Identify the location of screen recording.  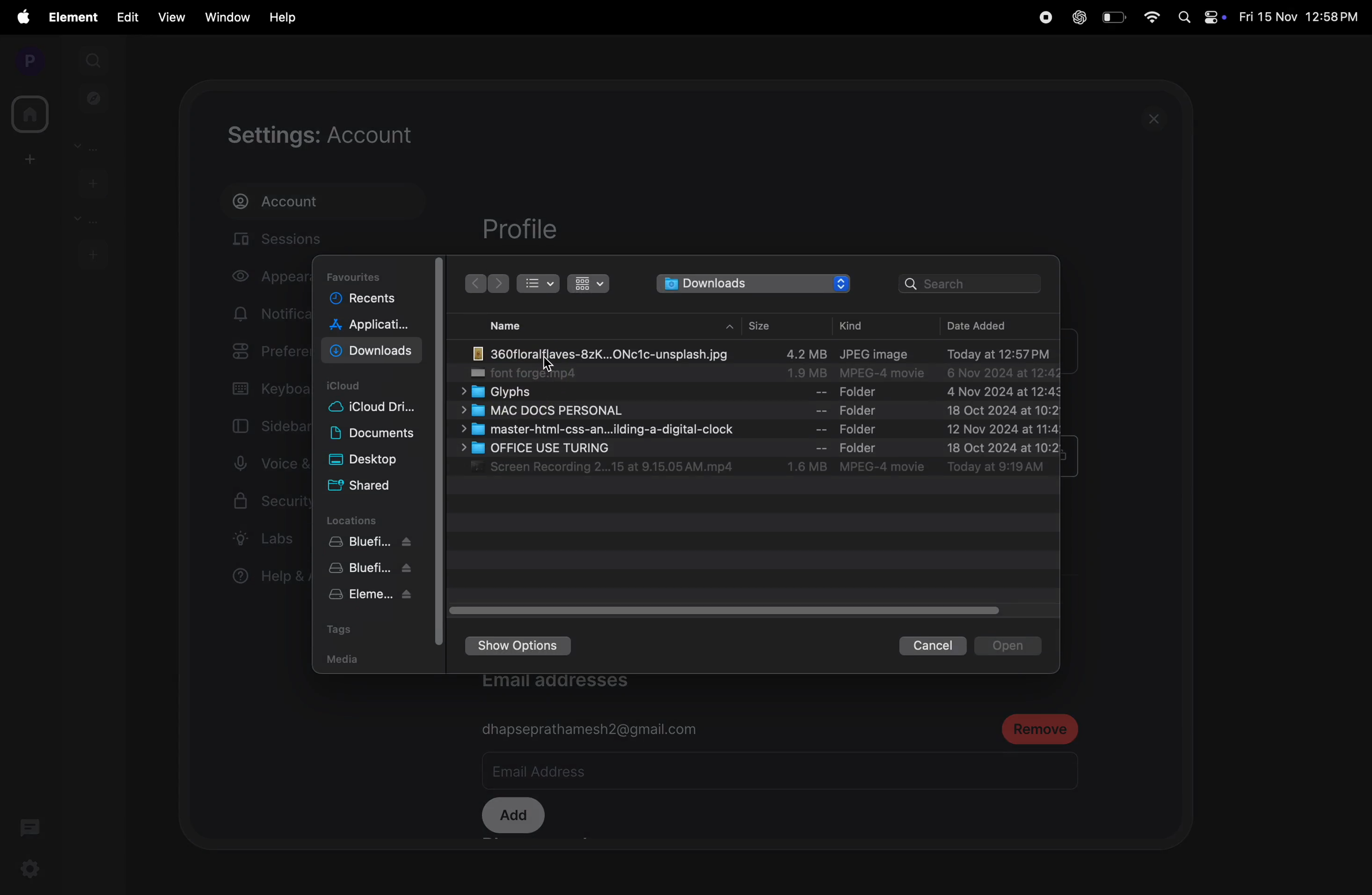
(756, 469).